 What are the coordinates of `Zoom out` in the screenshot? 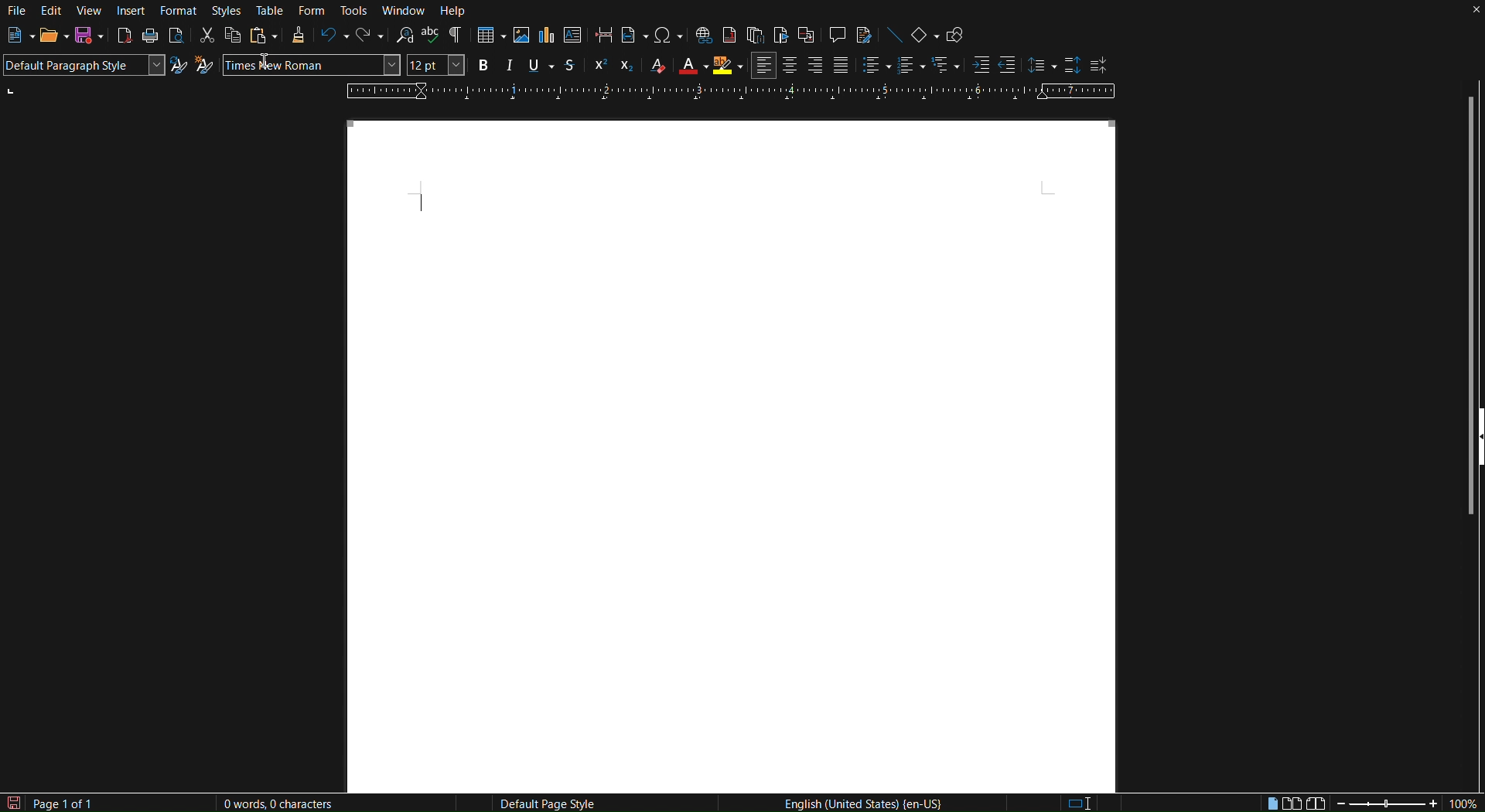 It's located at (1342, 803).